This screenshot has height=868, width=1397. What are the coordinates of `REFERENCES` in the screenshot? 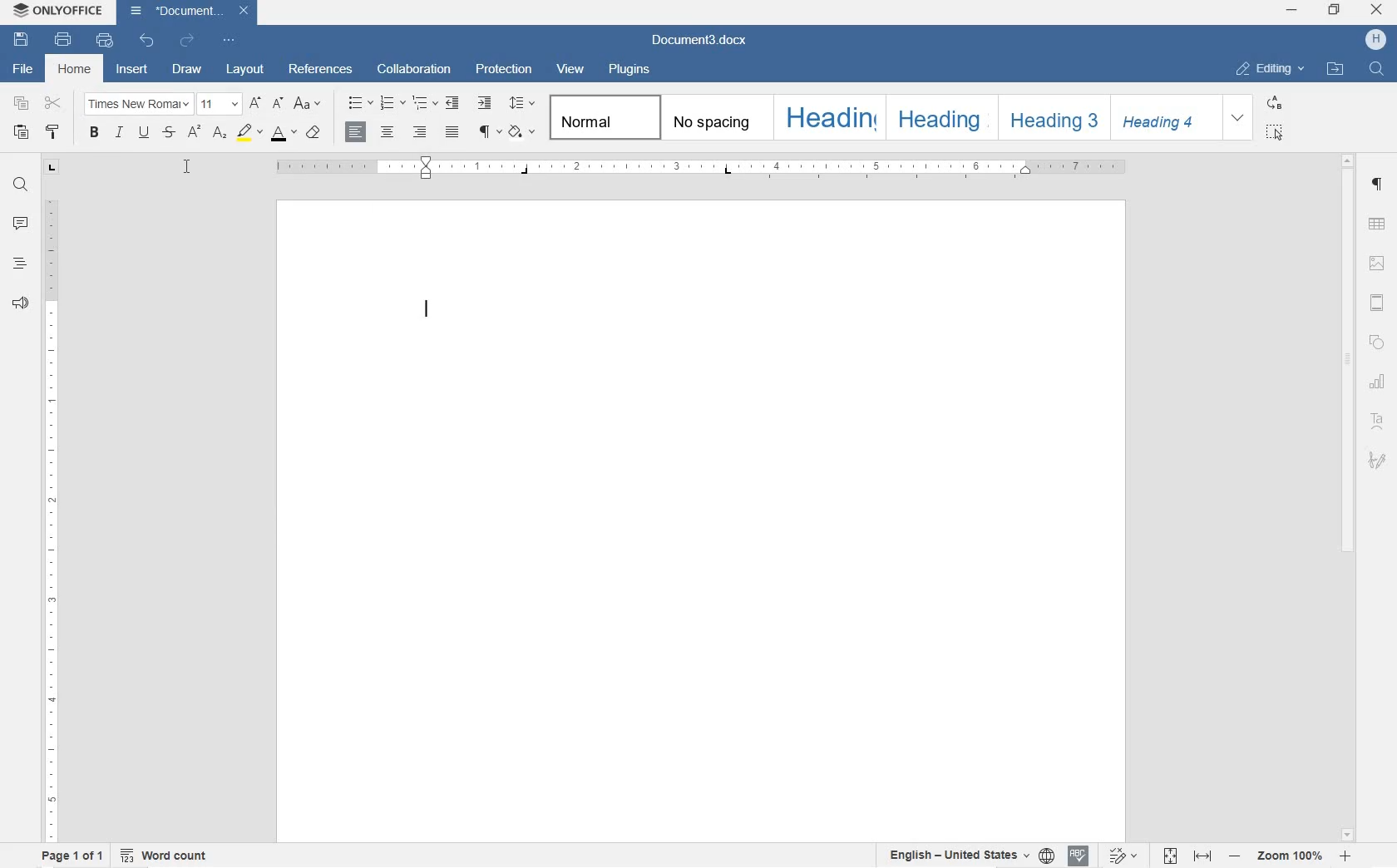 It's located at (320, 69).